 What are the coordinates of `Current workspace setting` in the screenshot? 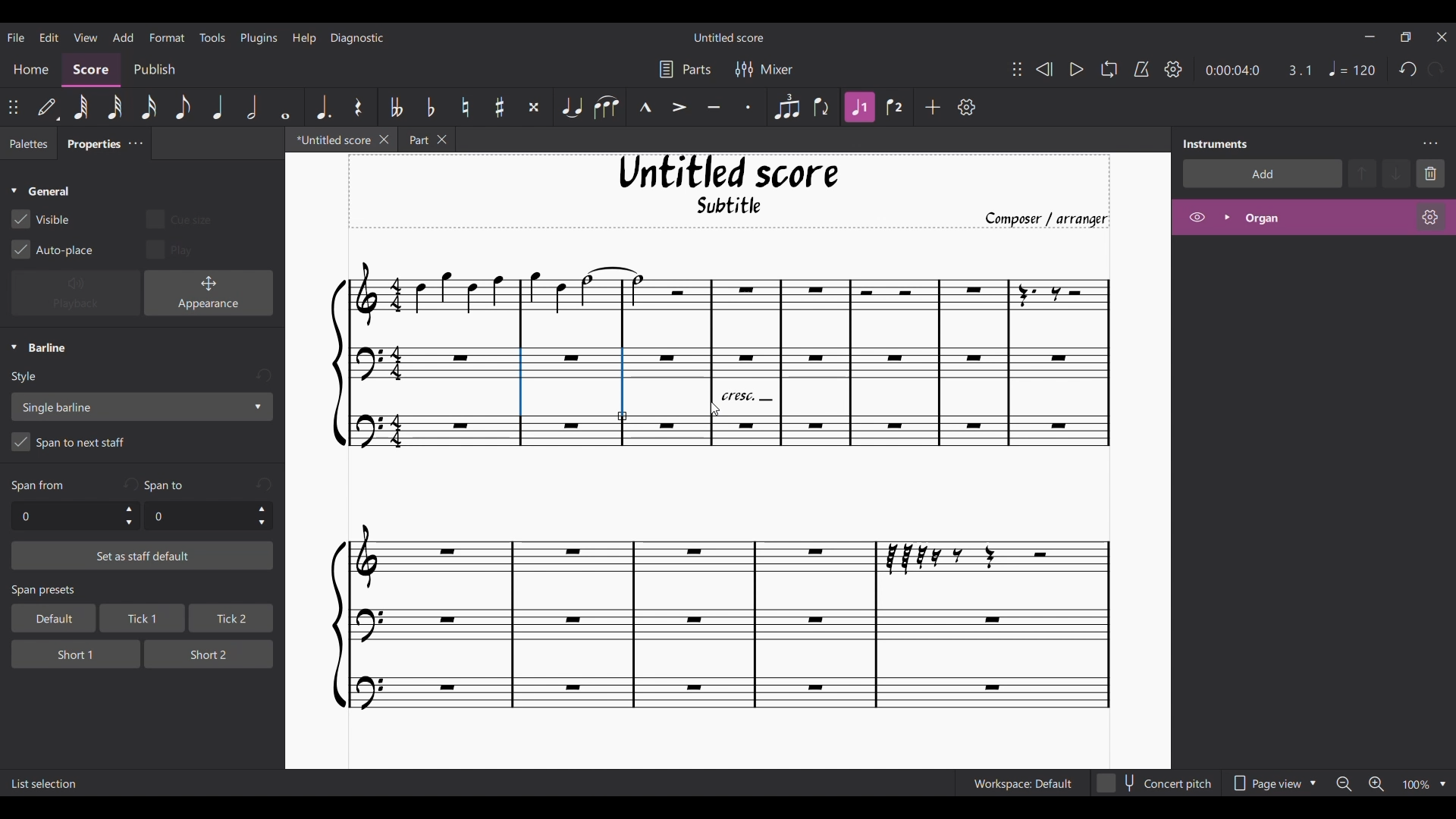 It's located at (1022, 783).